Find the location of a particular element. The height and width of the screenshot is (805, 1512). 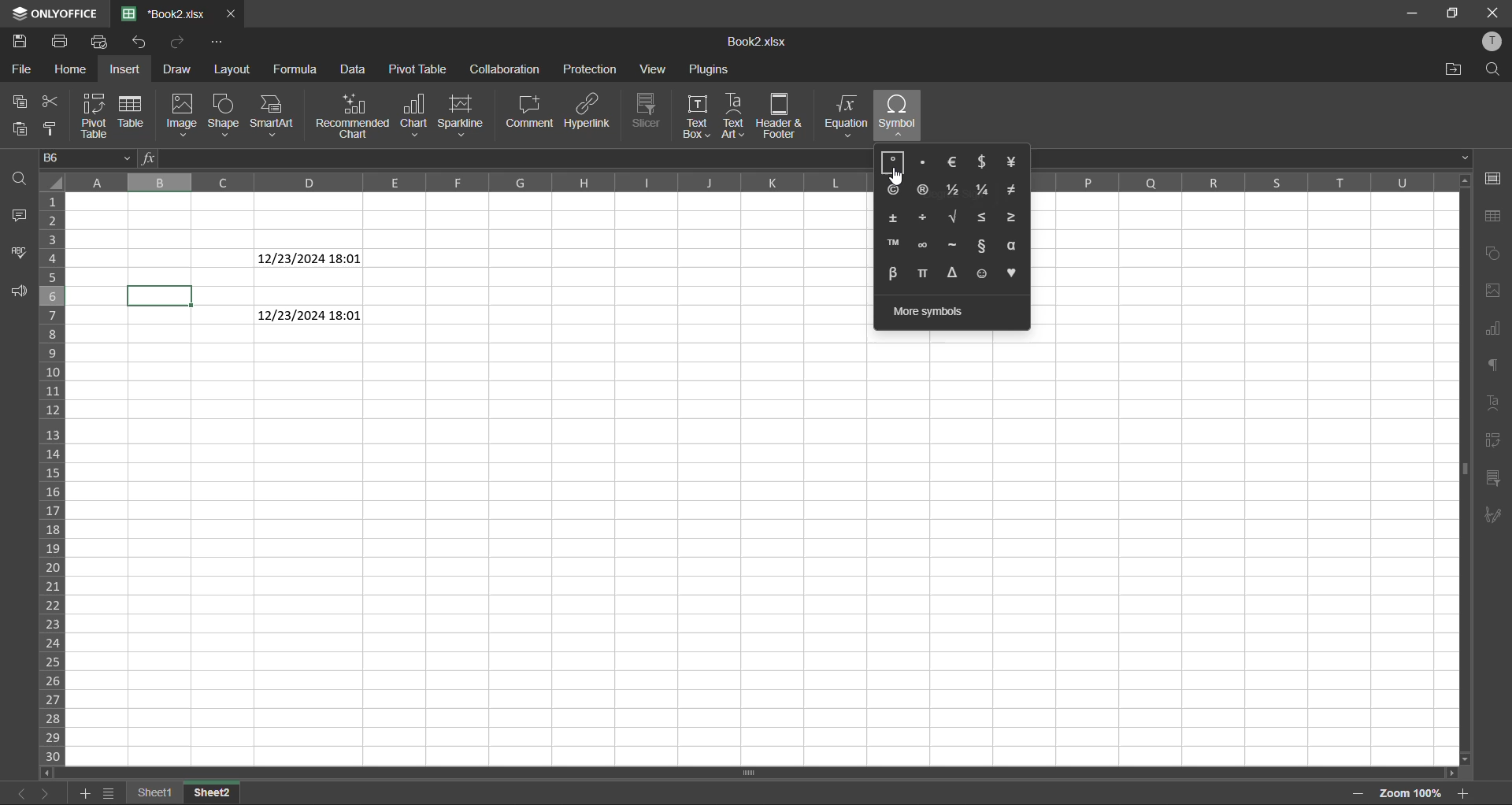

cut is located at coordinates (54, 100).